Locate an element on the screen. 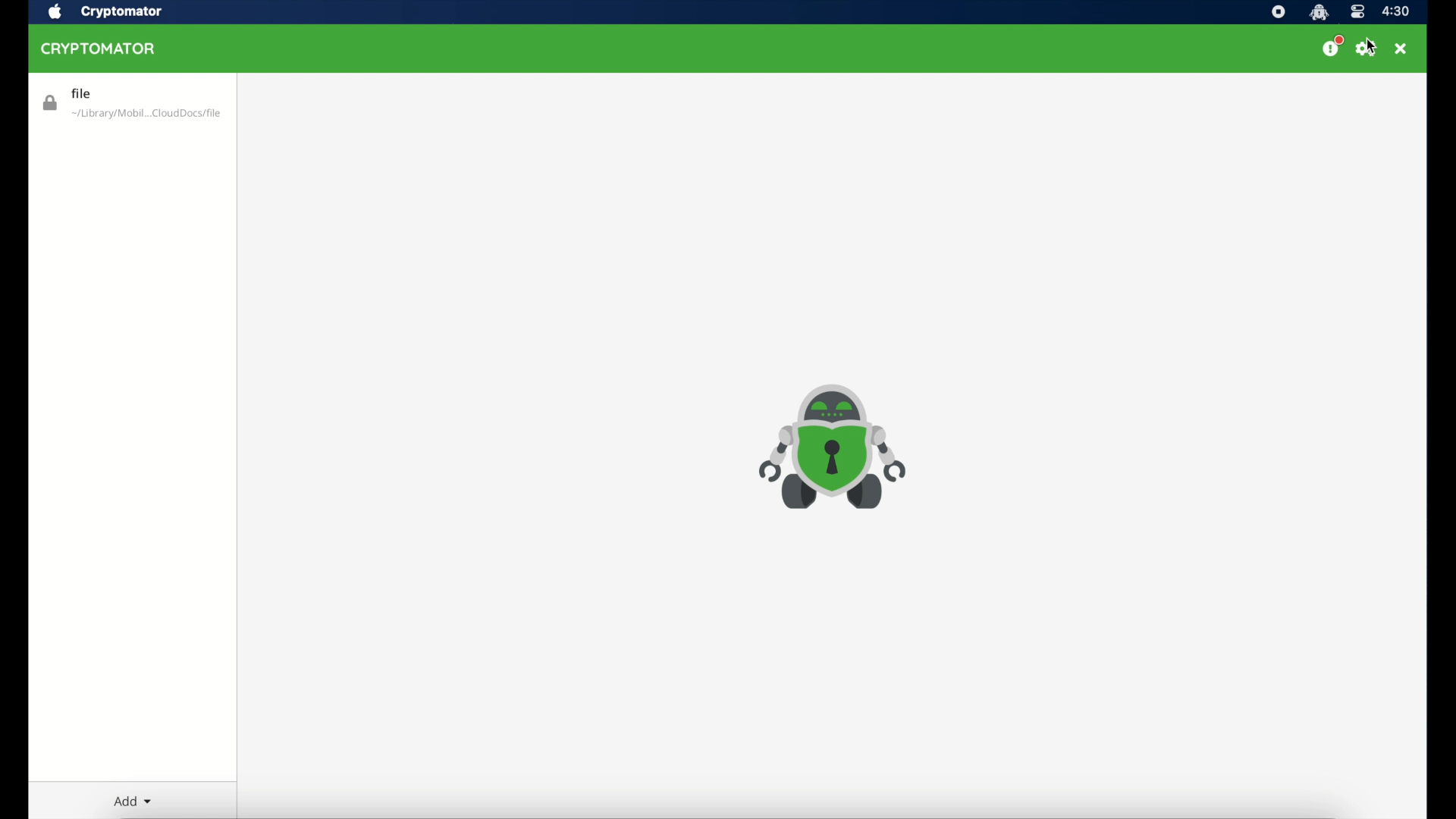 This screenshot has width=1456, height=819. screen recorder icon is located at coordinates (1279, 12).